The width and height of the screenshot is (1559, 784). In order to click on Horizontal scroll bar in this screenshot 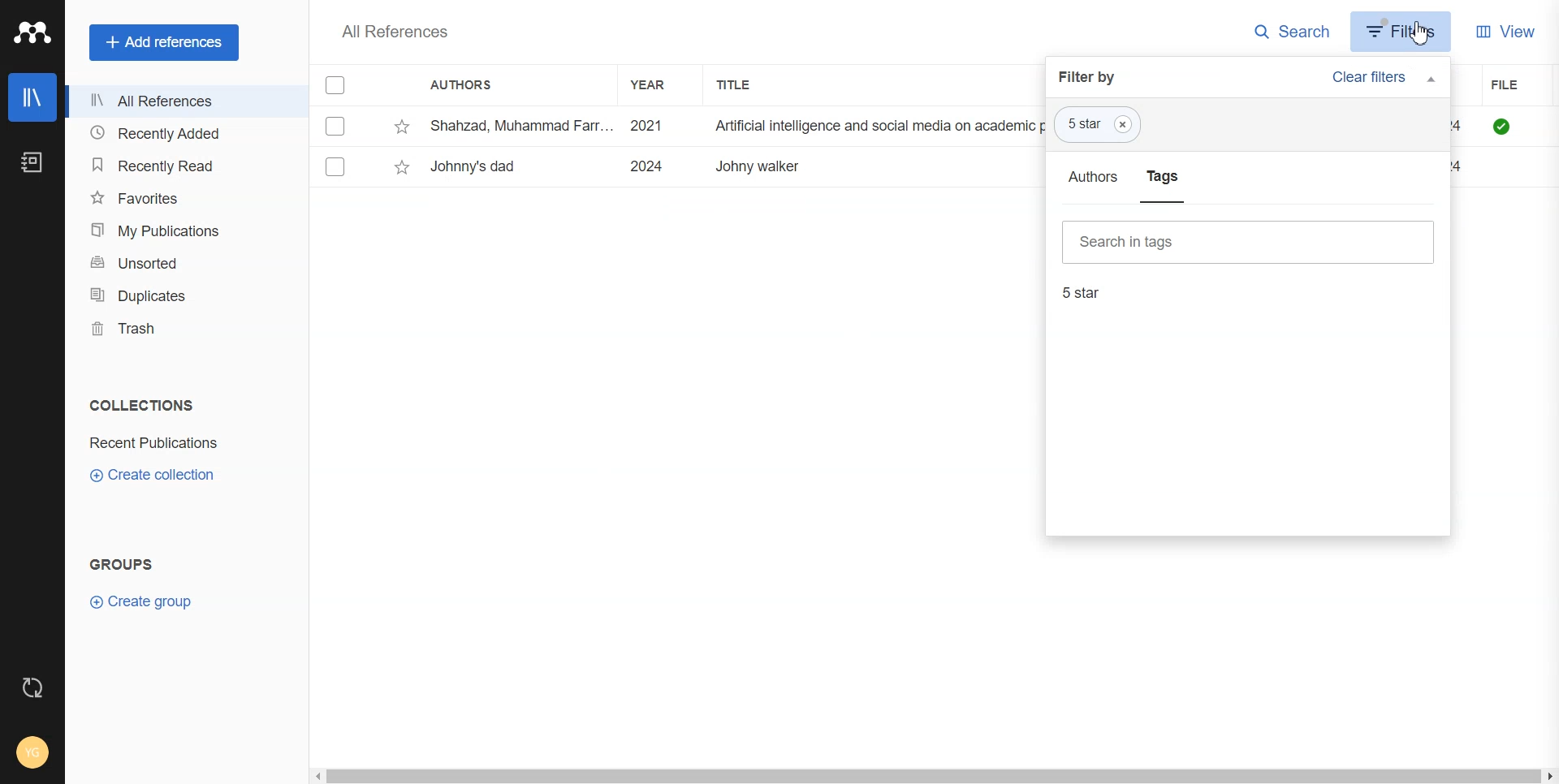, I will do `click(933, 778)`.